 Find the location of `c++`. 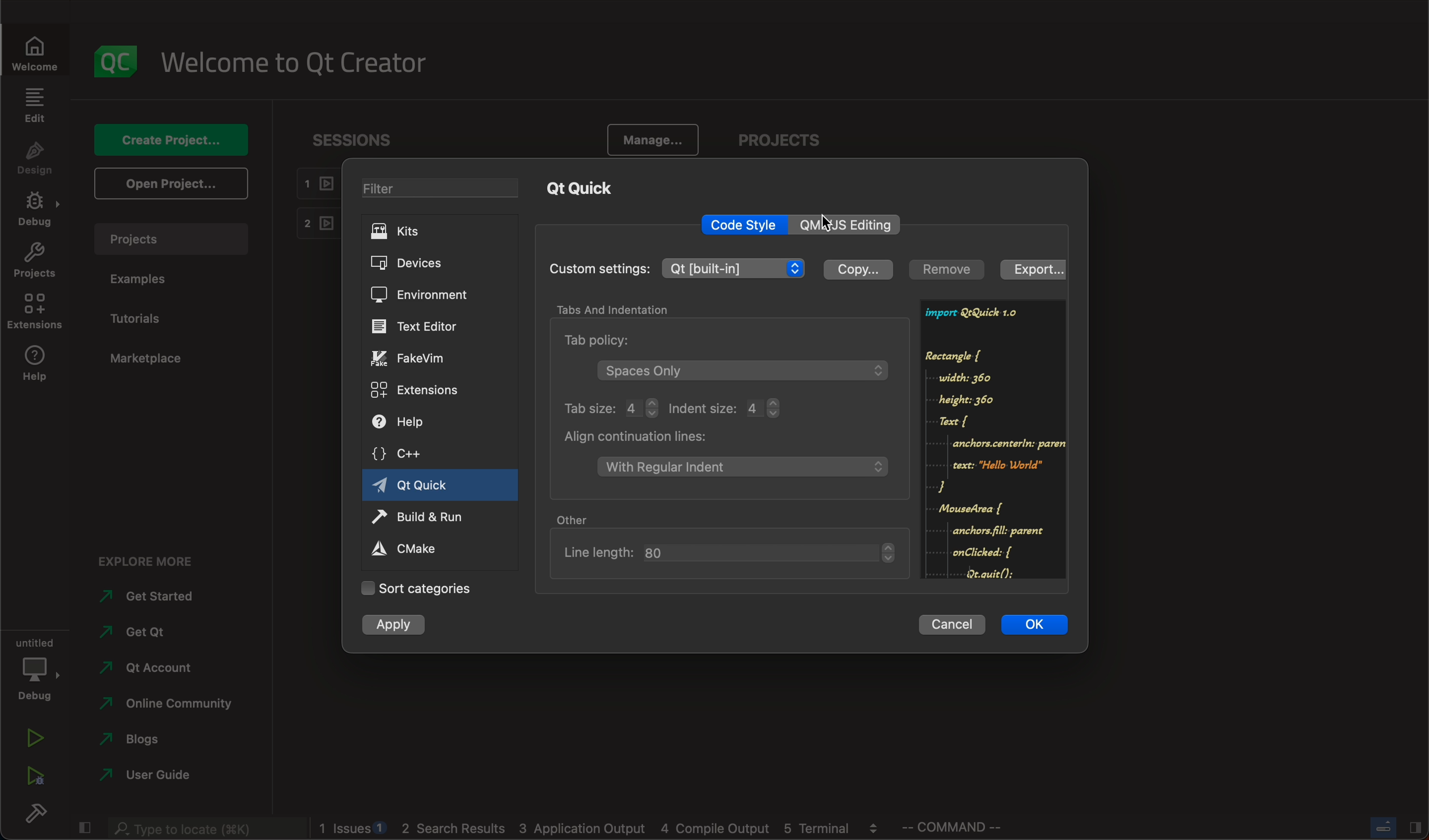

c++ is located at coordinates (410, 454).